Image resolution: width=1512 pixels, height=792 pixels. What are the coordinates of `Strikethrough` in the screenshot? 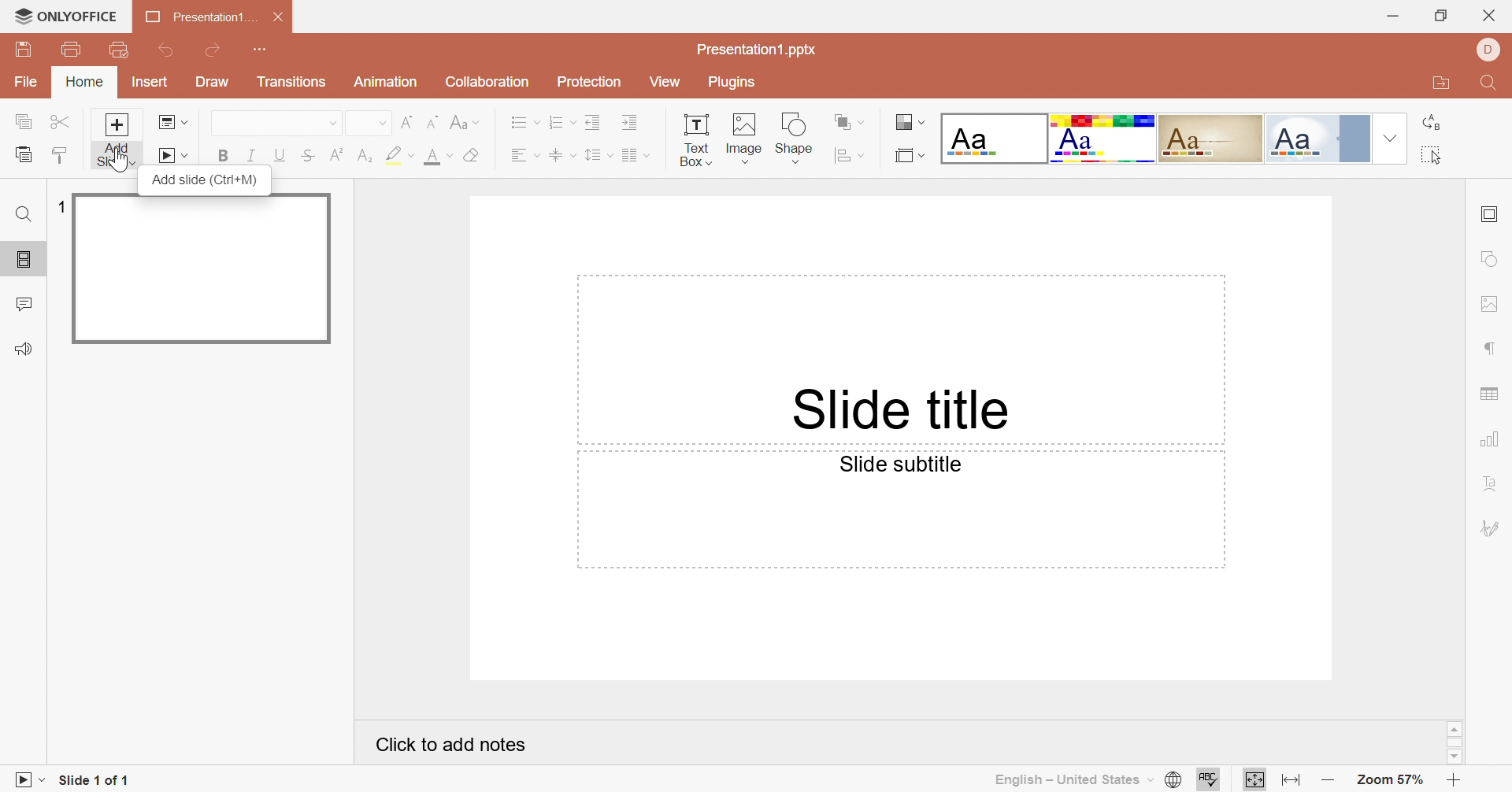 It's located at (306, 156).